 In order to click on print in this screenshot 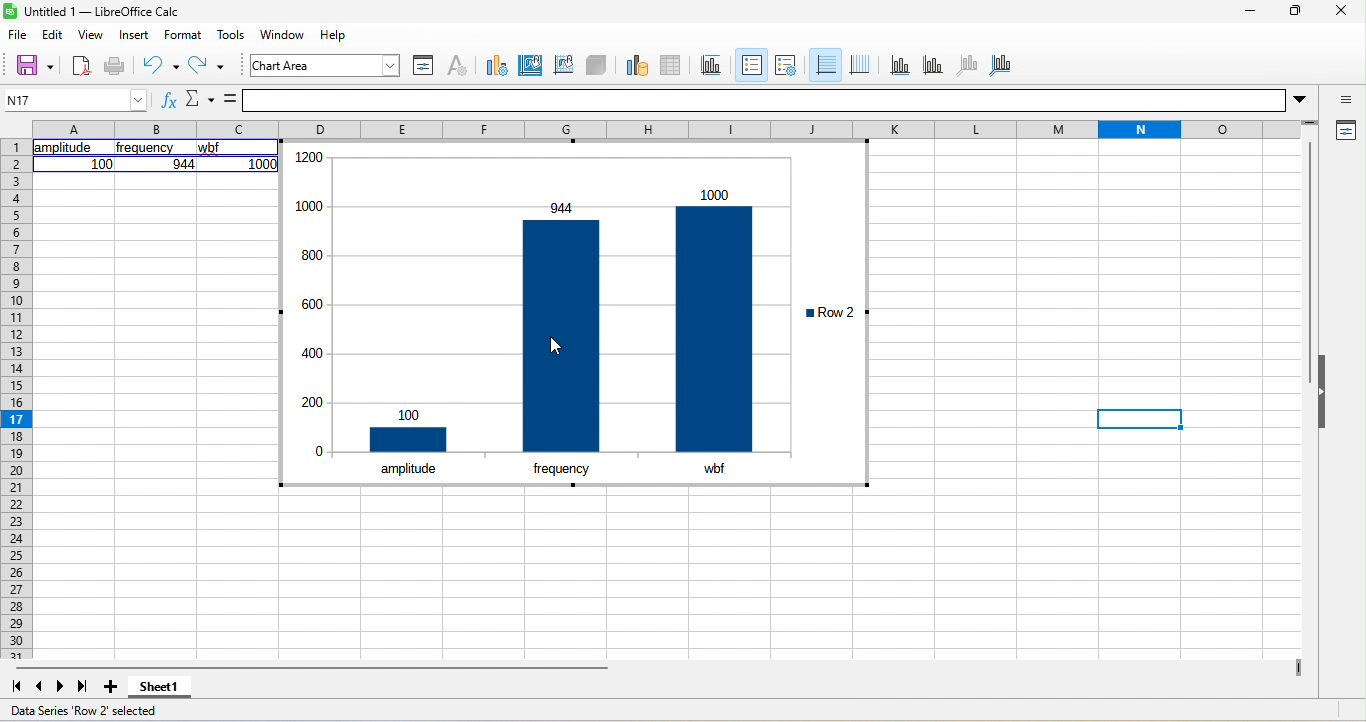, I will do `click(115, 66)`.